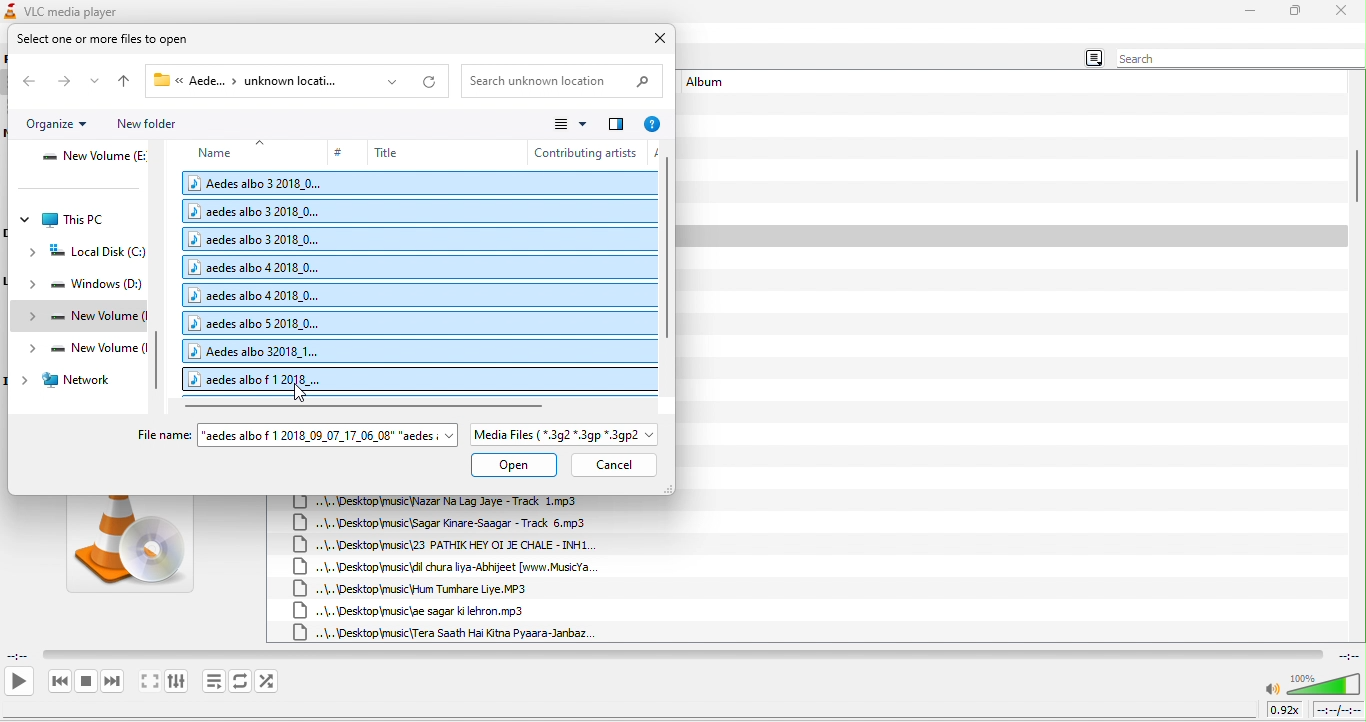 The height and width of the screenshot is (722, 1366). What do you see at coordinates (129, 550) in the screenshot?
I see `vlc media image` at bounding box center [129, 550].